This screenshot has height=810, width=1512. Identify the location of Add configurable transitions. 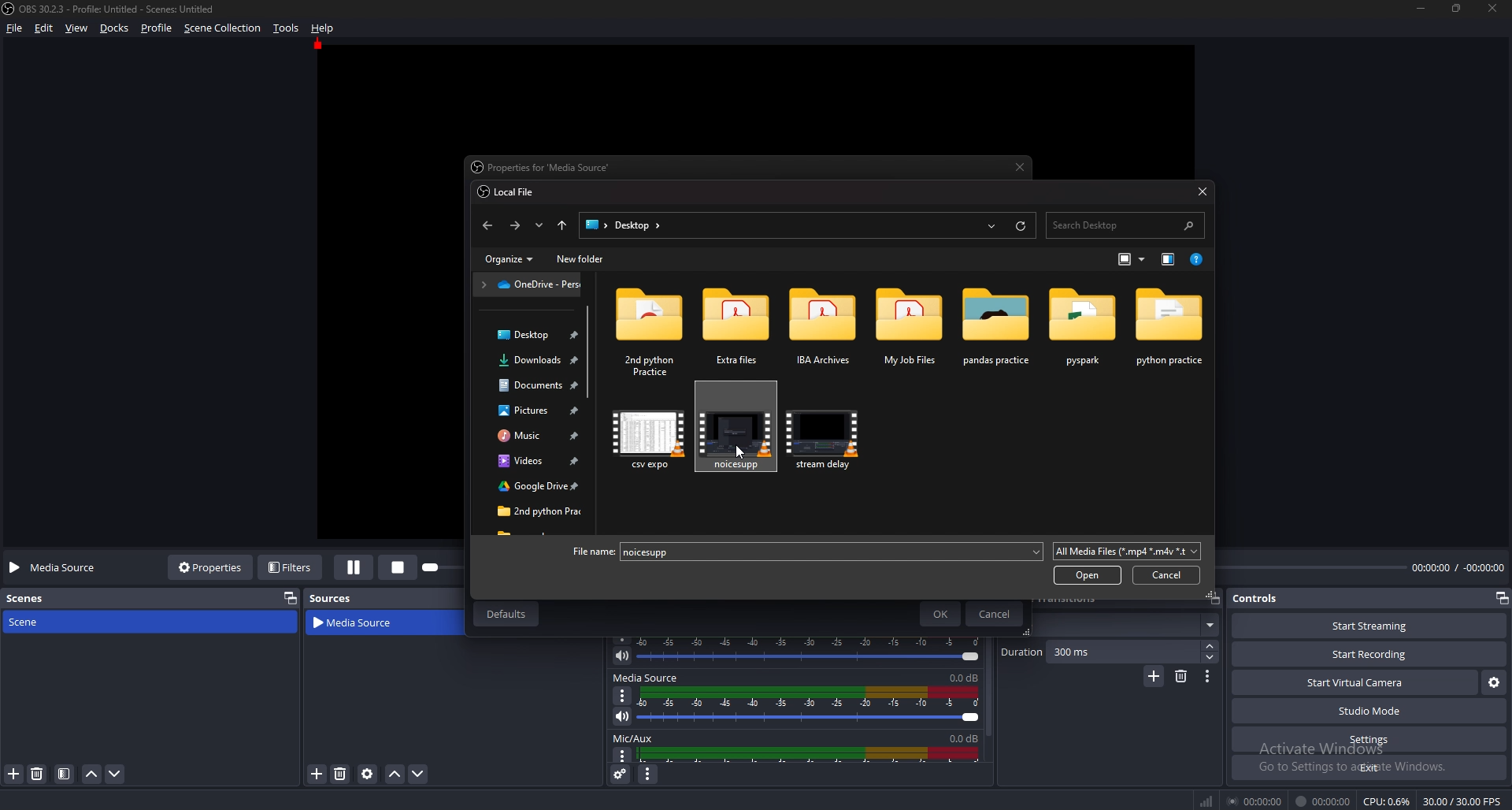
(1154, 677).